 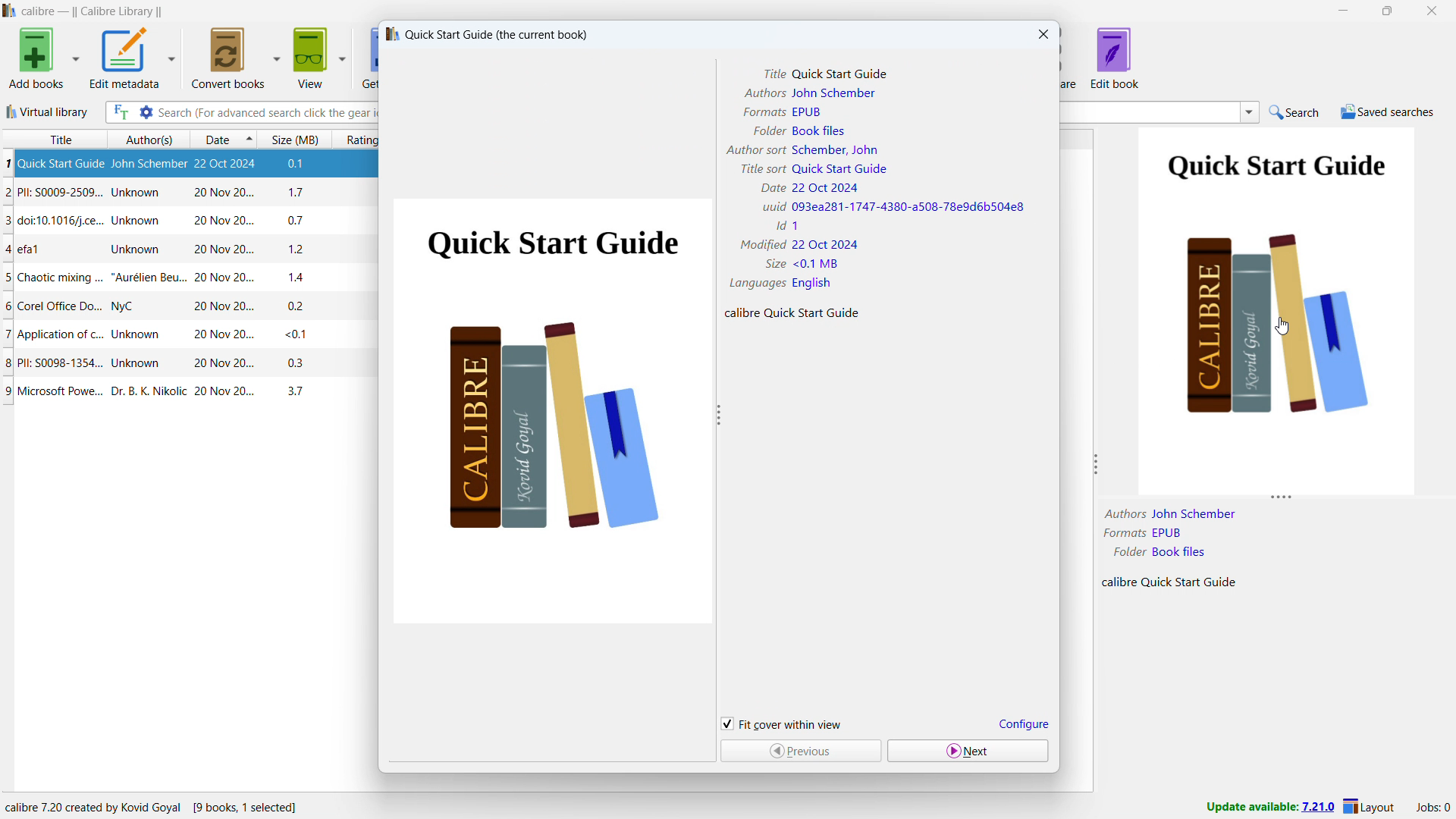 I want to click on Quick style Guide, so click(x=842, y=75).